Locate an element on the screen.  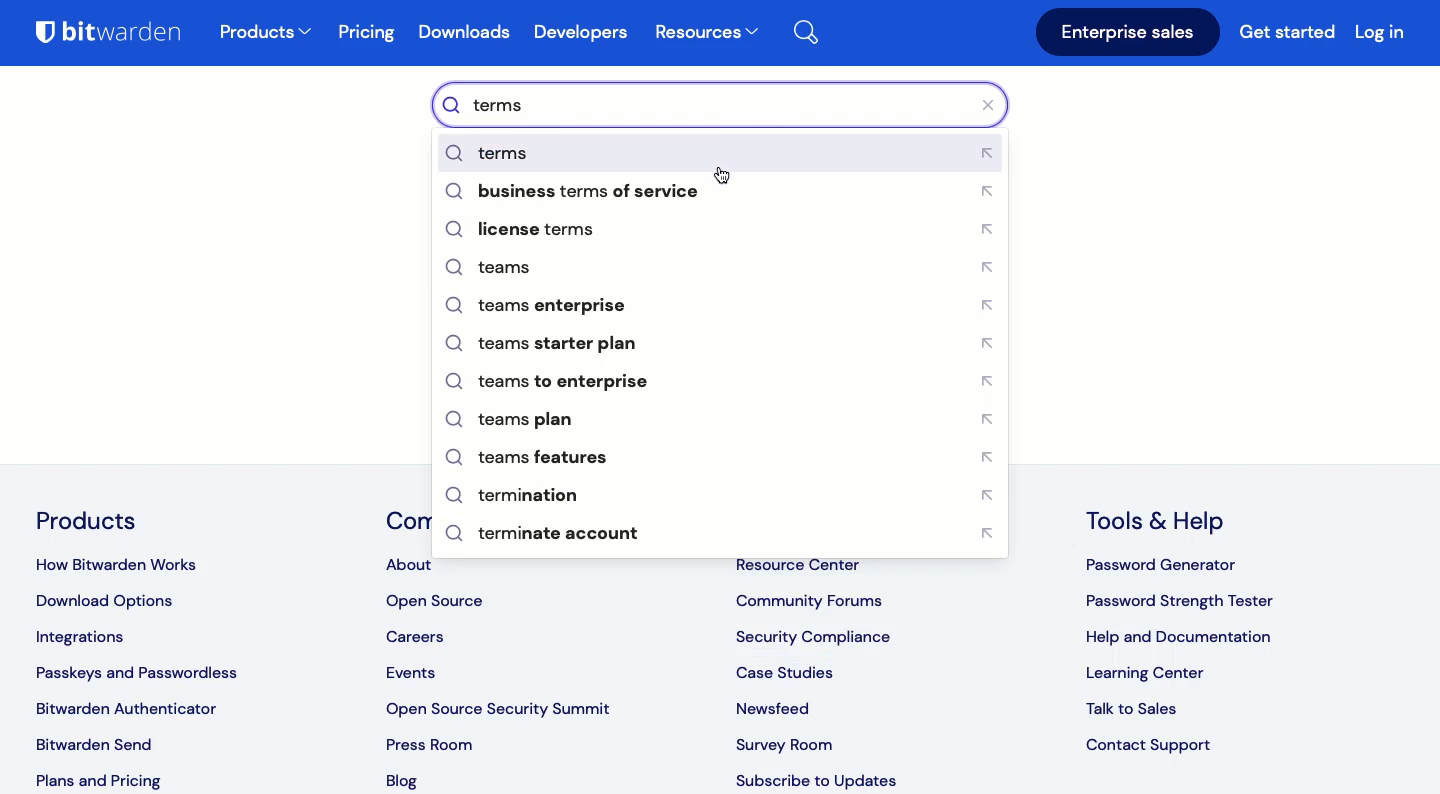
case studies is located at coordinates (787, 668).